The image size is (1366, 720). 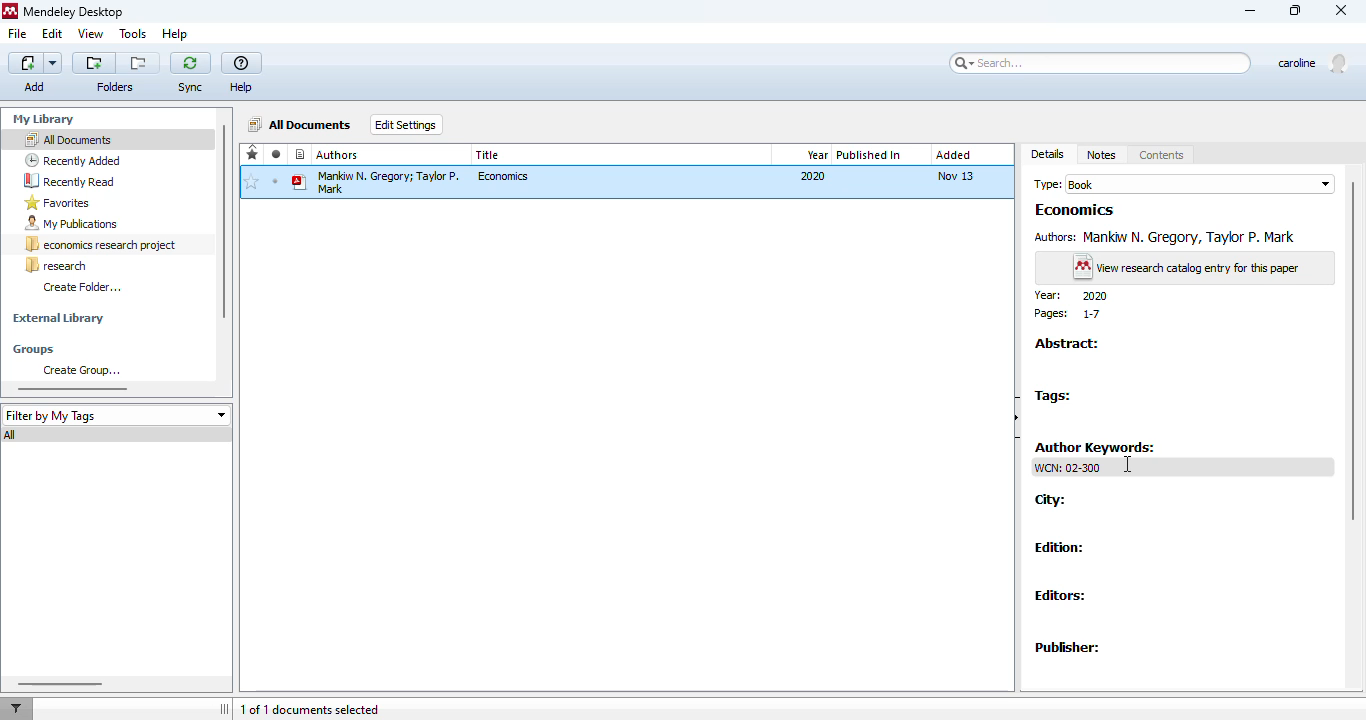 What do you see at coordinates (10, 10) in the screenshot?
I see `logo` at bounding box center [10, 10].